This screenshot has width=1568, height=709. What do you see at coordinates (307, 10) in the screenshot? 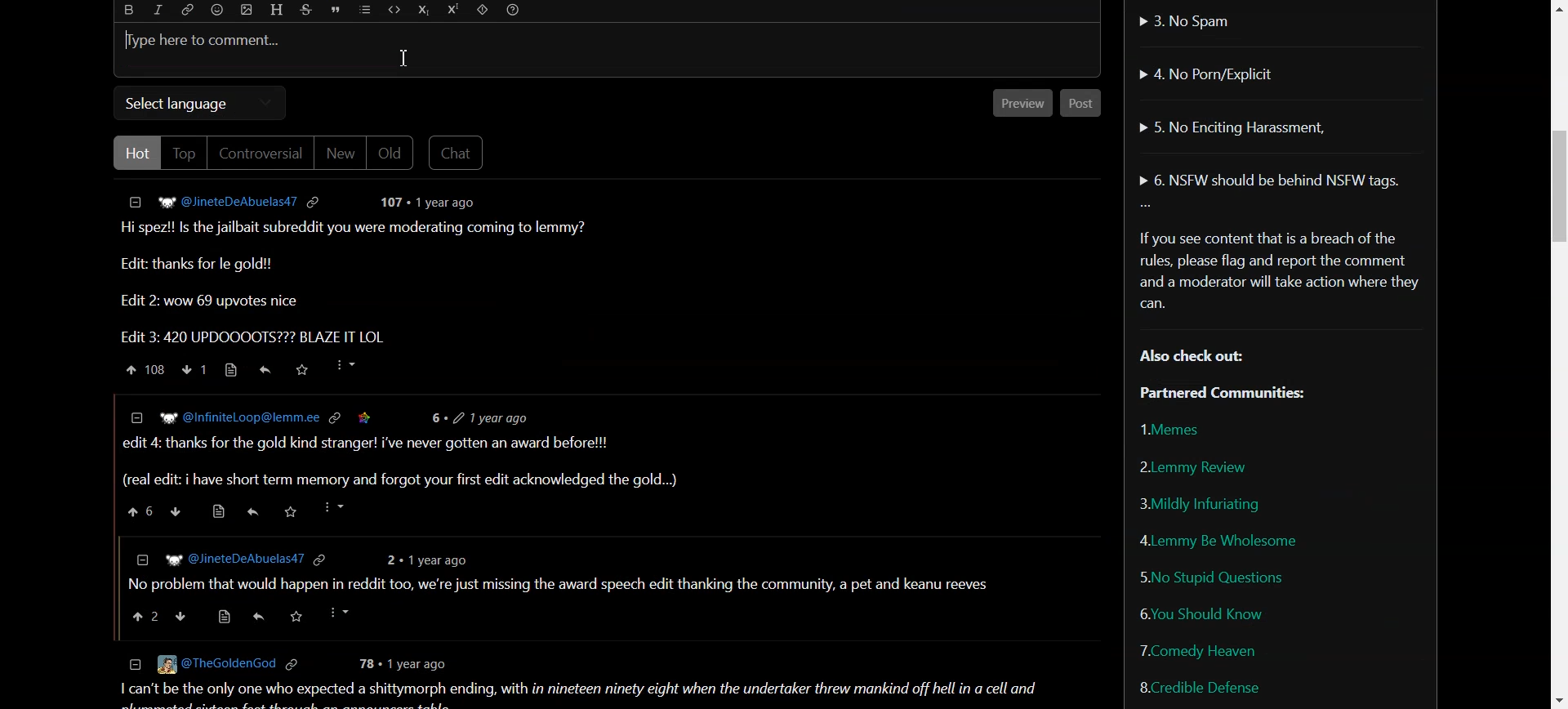
I see `Strikethrough` at bounding box center [307, 10].